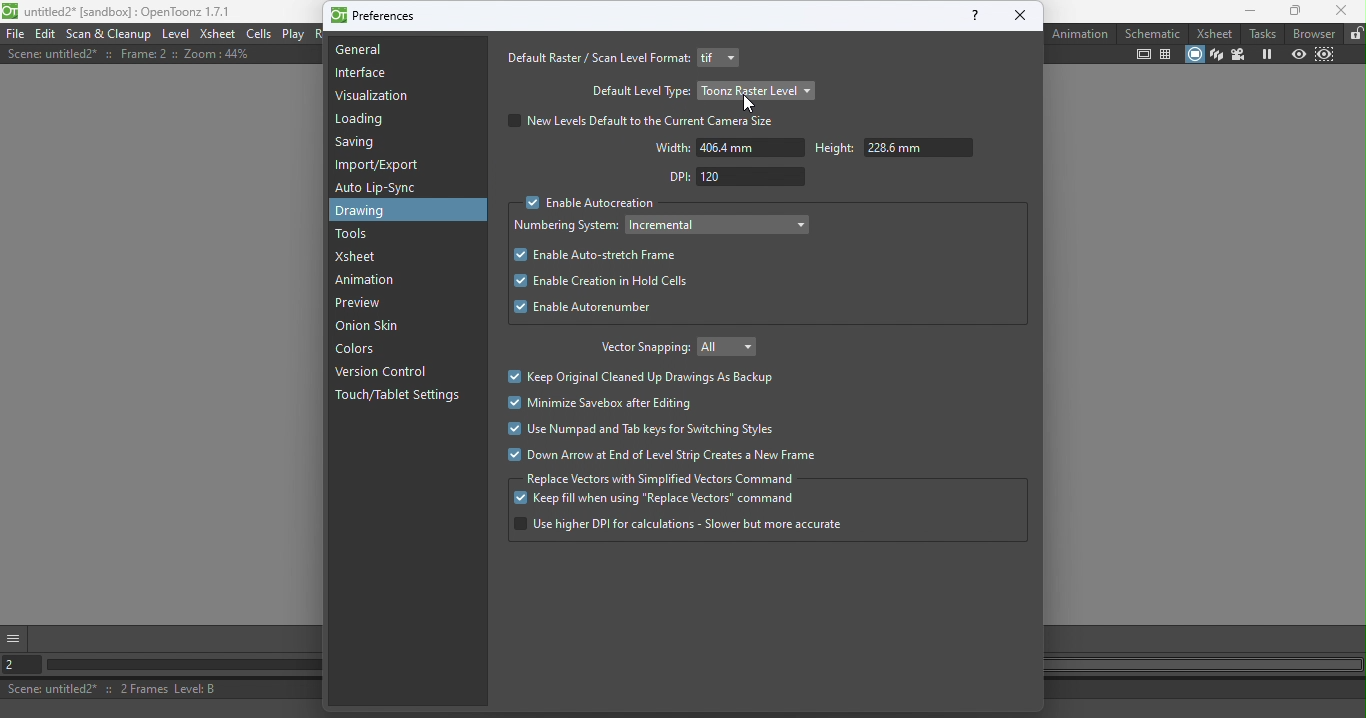 The image size is (1366, 718). Describe the element at coordinates (594, 255) in the screenshot. I see `Enable auto search frame` at that location.